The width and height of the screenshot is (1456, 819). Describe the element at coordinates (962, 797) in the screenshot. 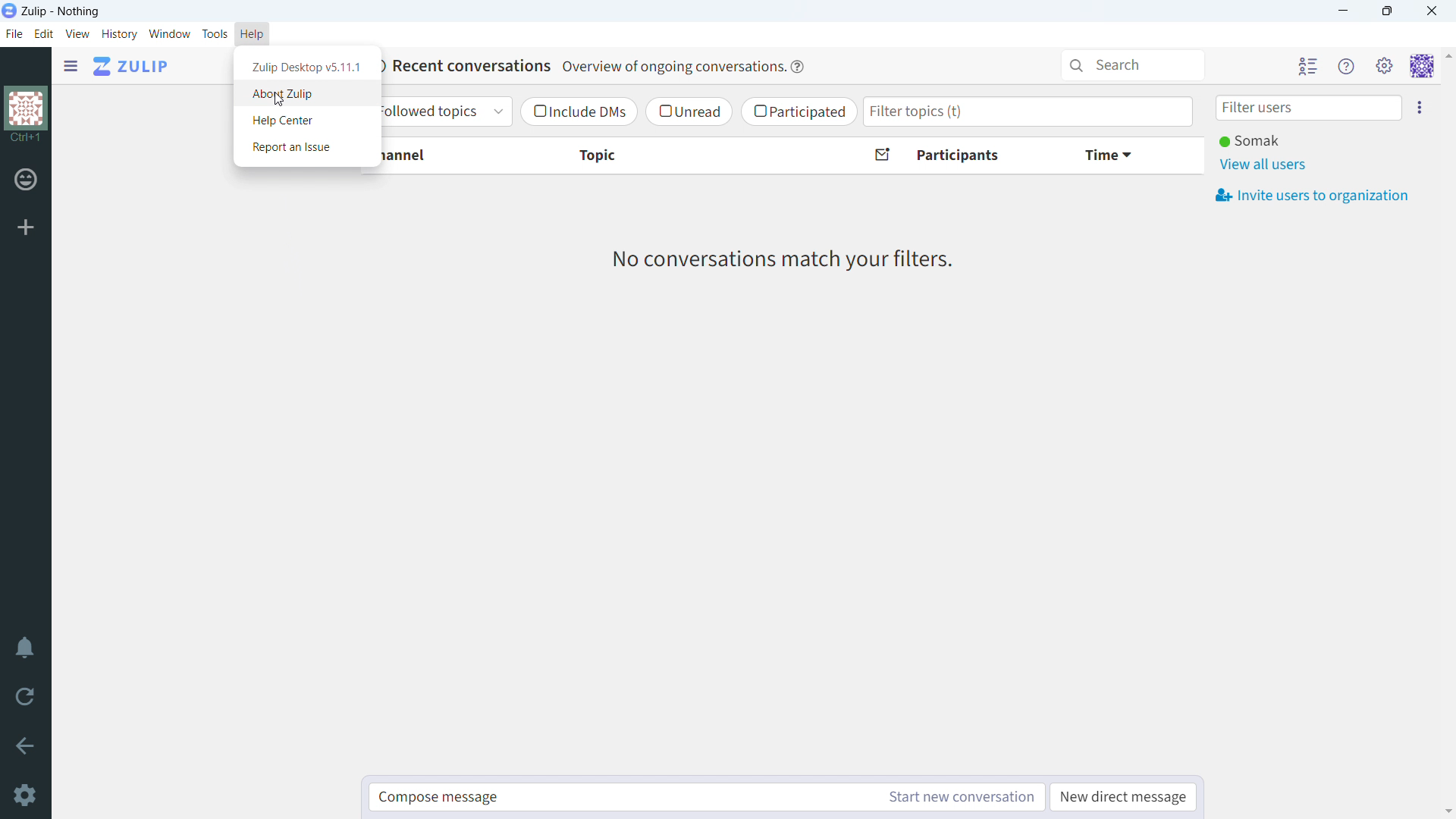

I see `start new conversation` at that location.